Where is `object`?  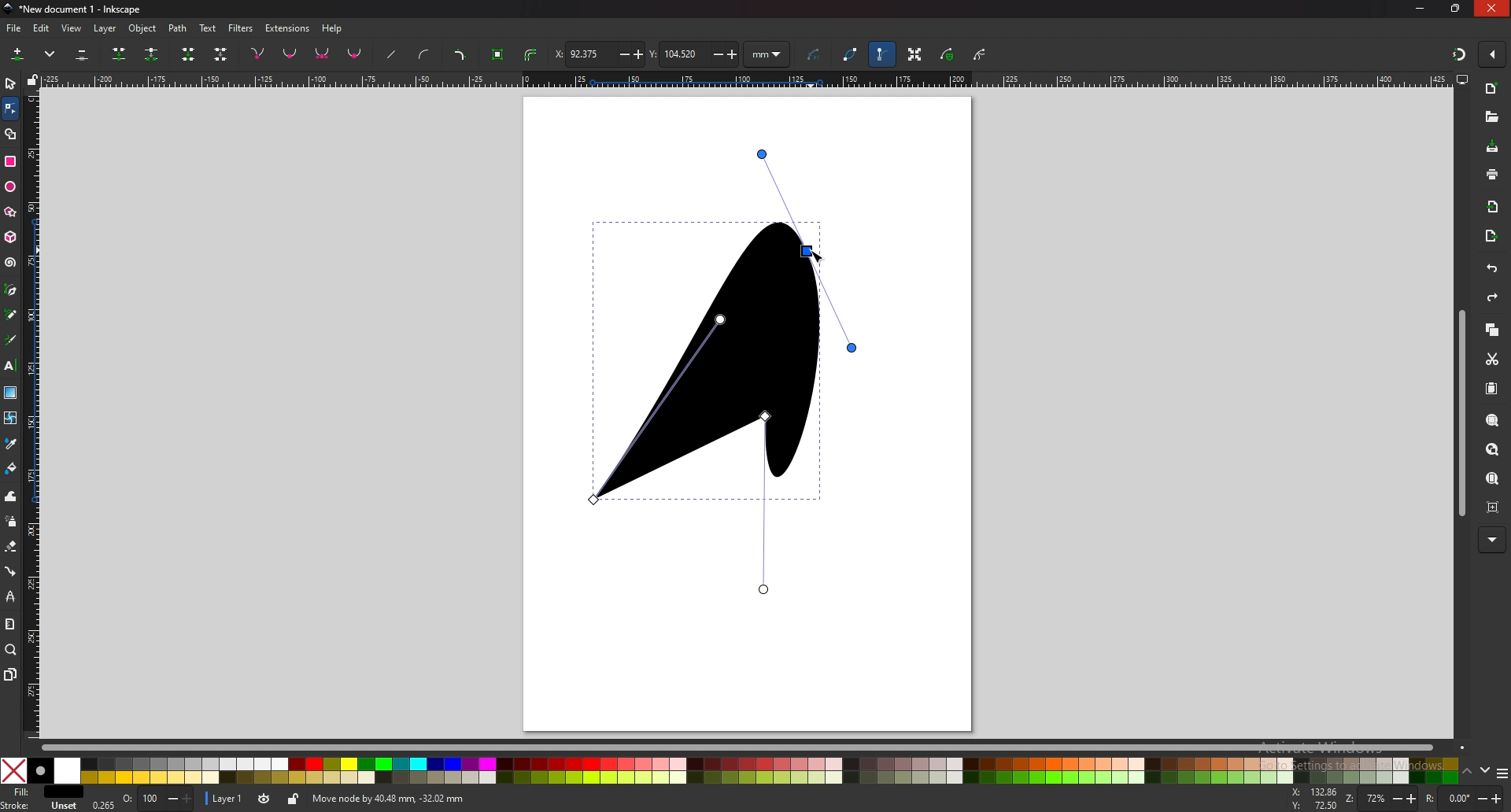
object is located at coordinates (145, 28).